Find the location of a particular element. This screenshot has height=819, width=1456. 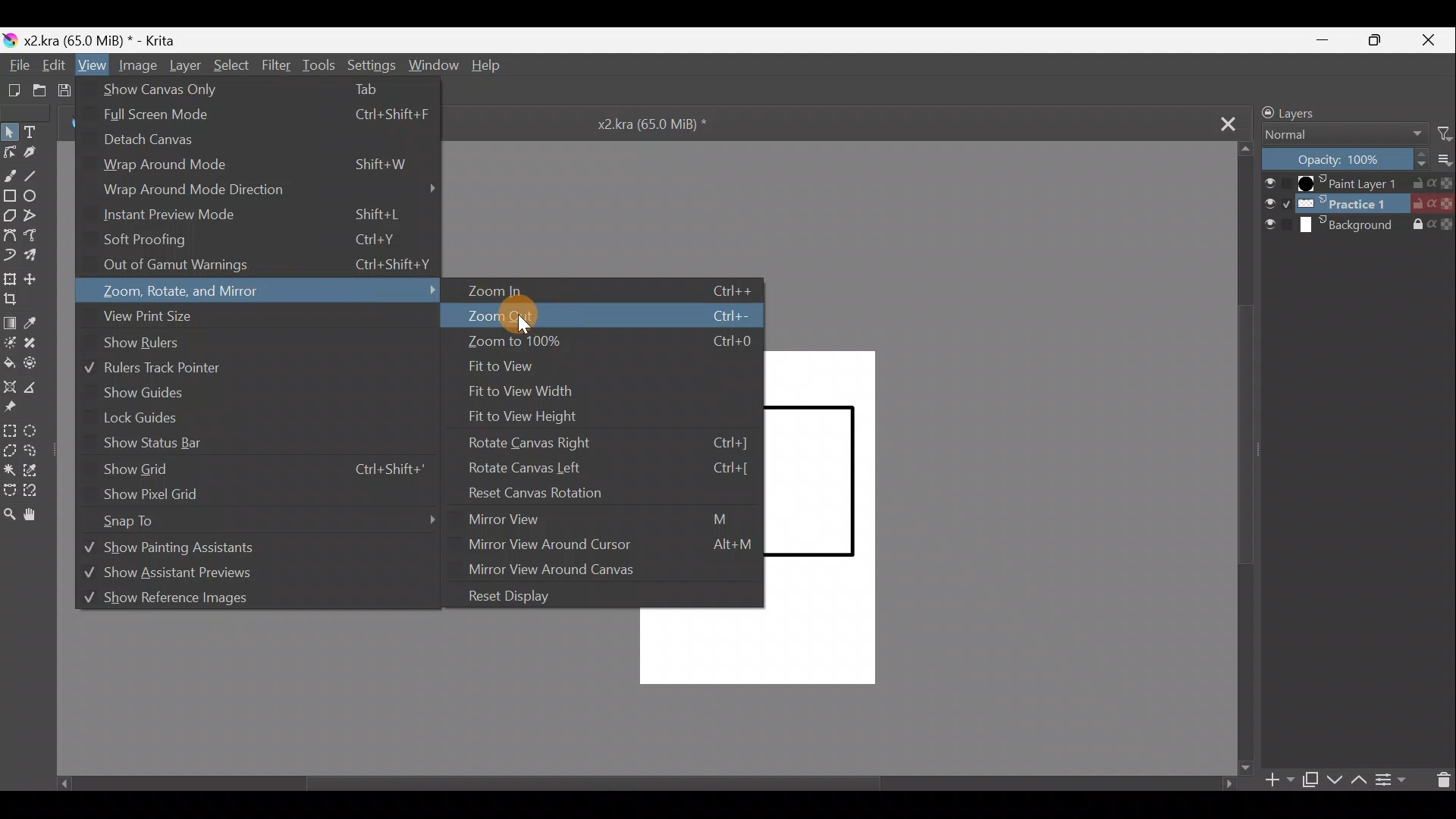

Show assistant previews is located at coordinates (199, 576).